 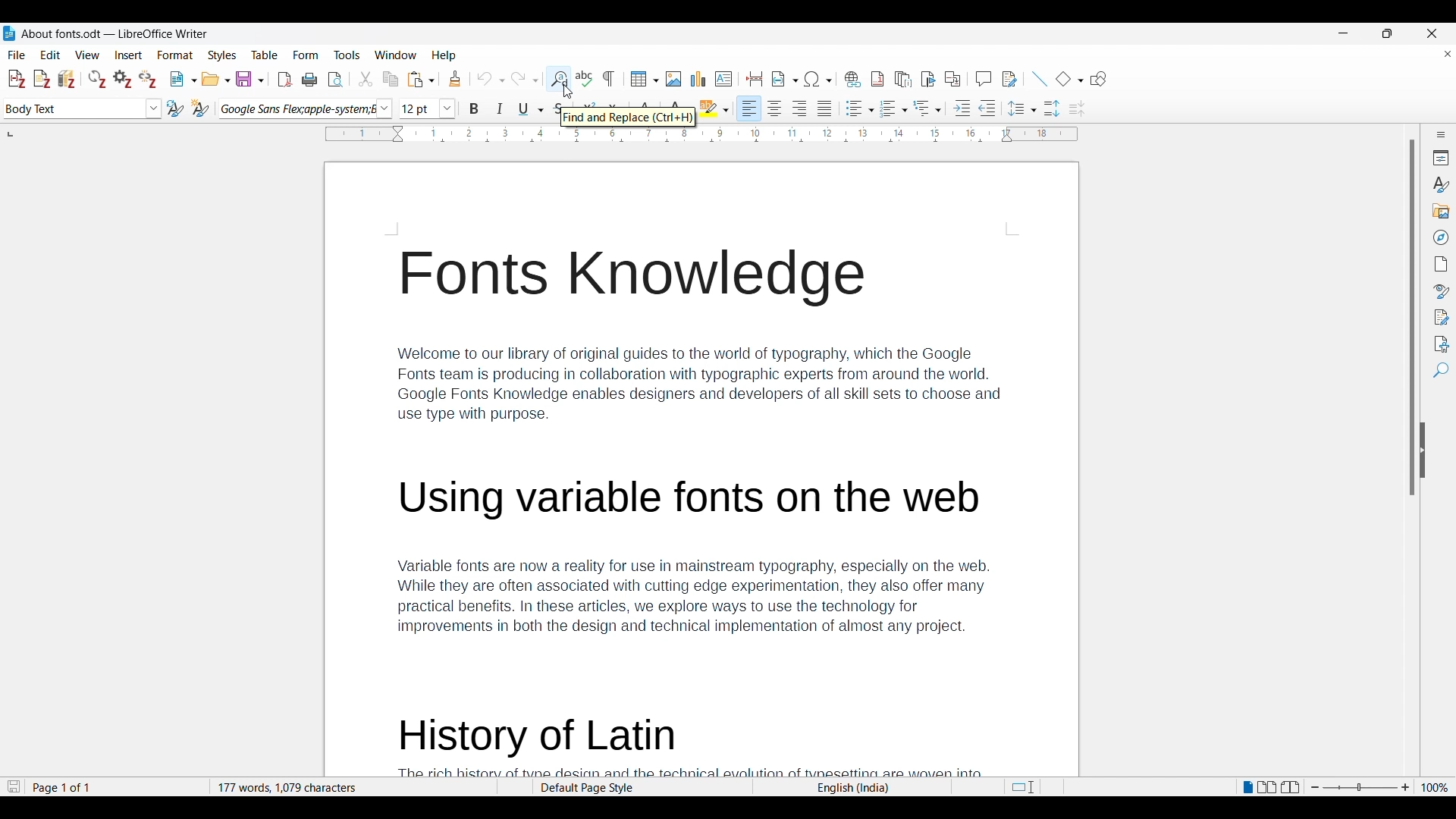 I want to click on Current font, so click(x=297, y=109).